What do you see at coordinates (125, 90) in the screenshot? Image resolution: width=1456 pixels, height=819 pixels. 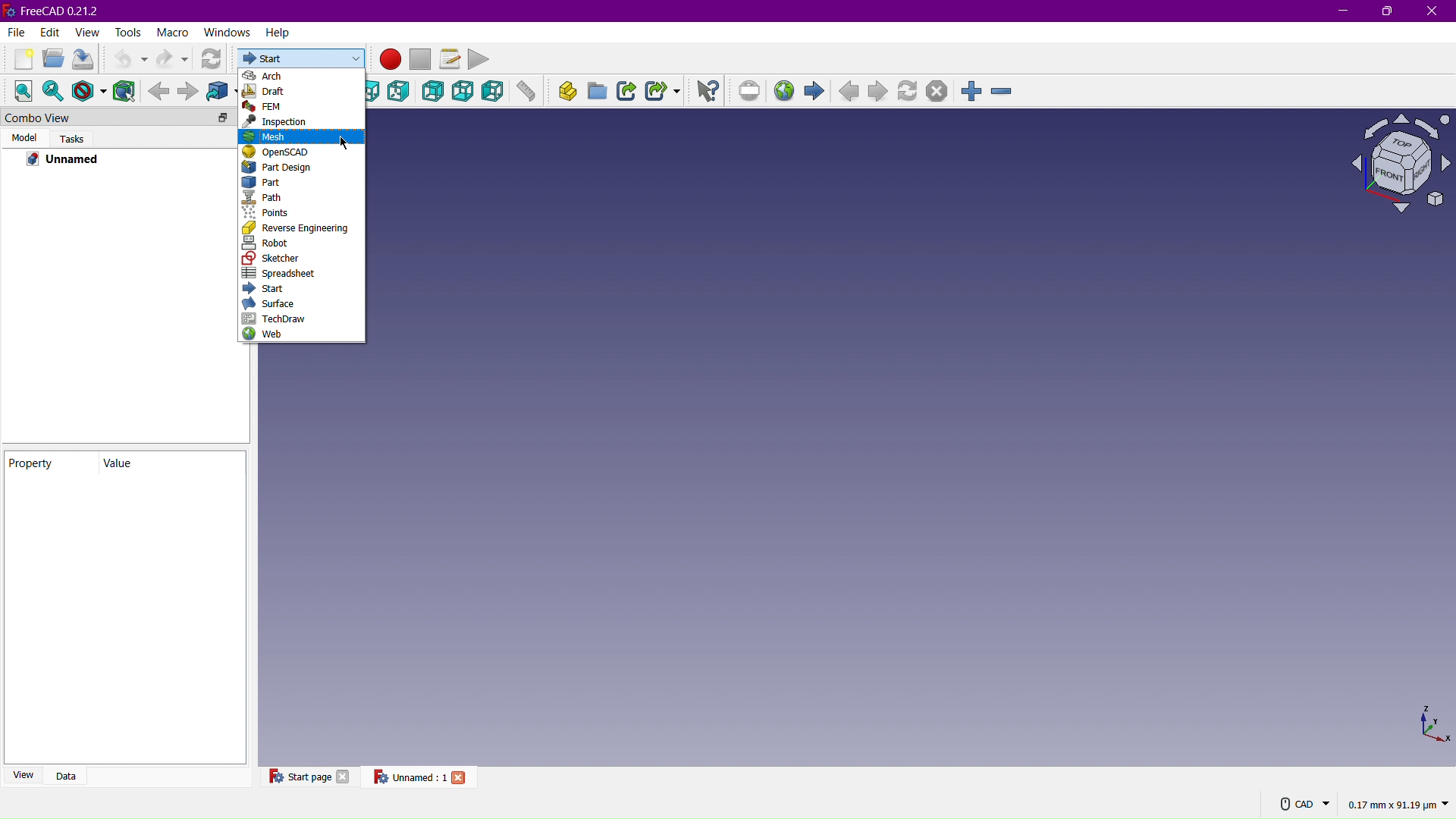 I see `Bounding Box` at bounding box center [125, 90].